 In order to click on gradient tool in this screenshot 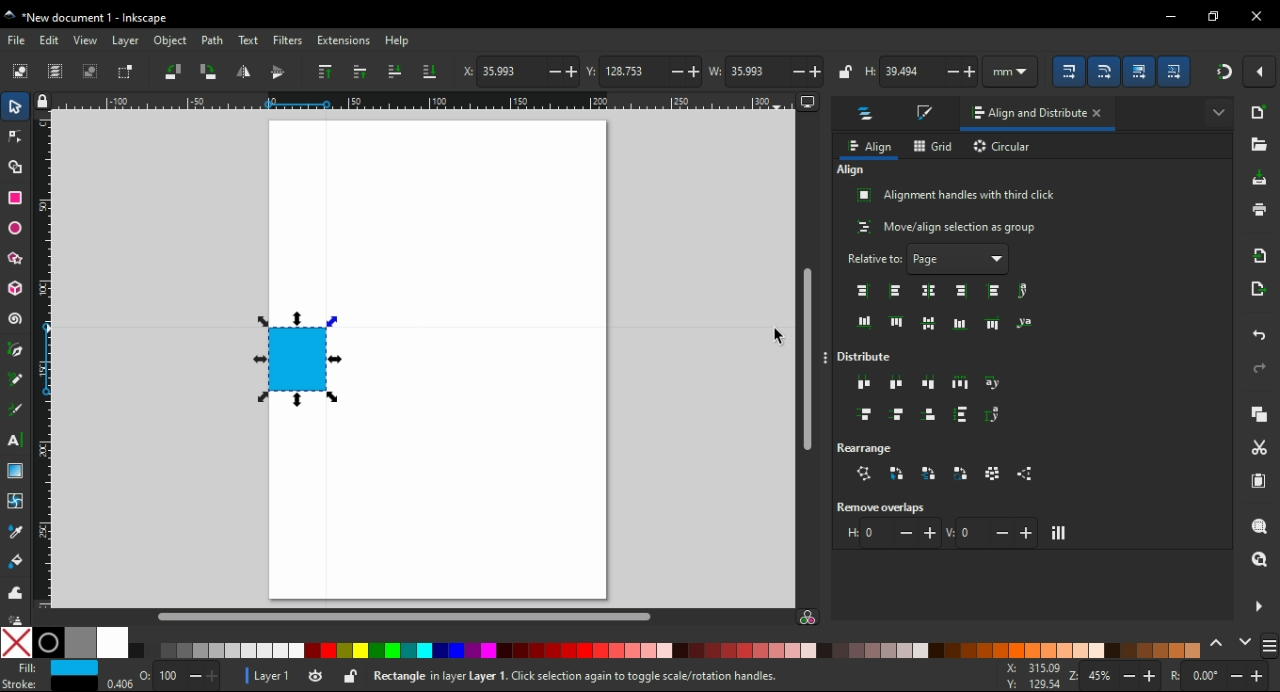, I will do `click(17, 471)`.